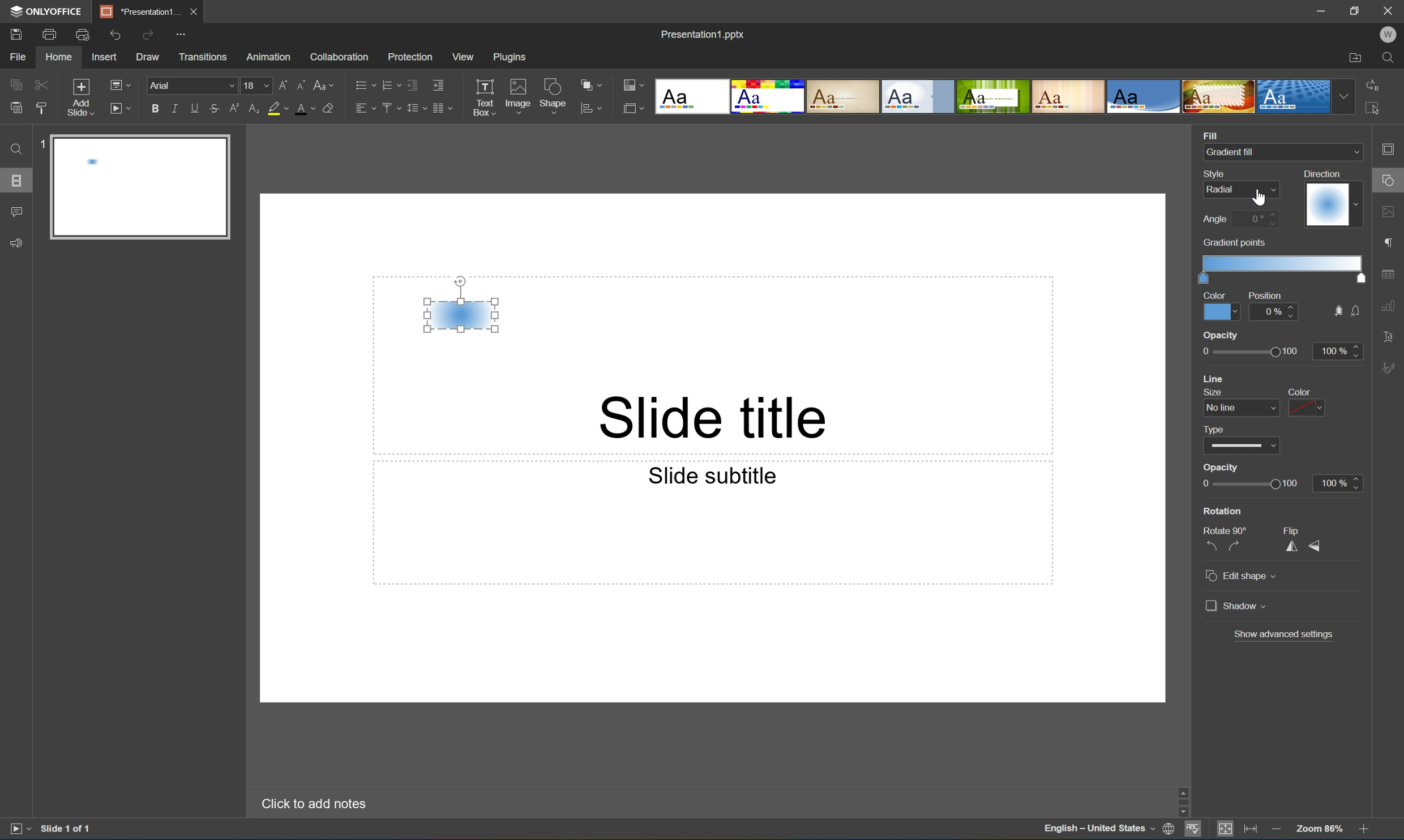 This screenshot has width=1404, height=840. Describe the element at coordinates (1356, 311) in the screenshot. I see `no fill` at that location.